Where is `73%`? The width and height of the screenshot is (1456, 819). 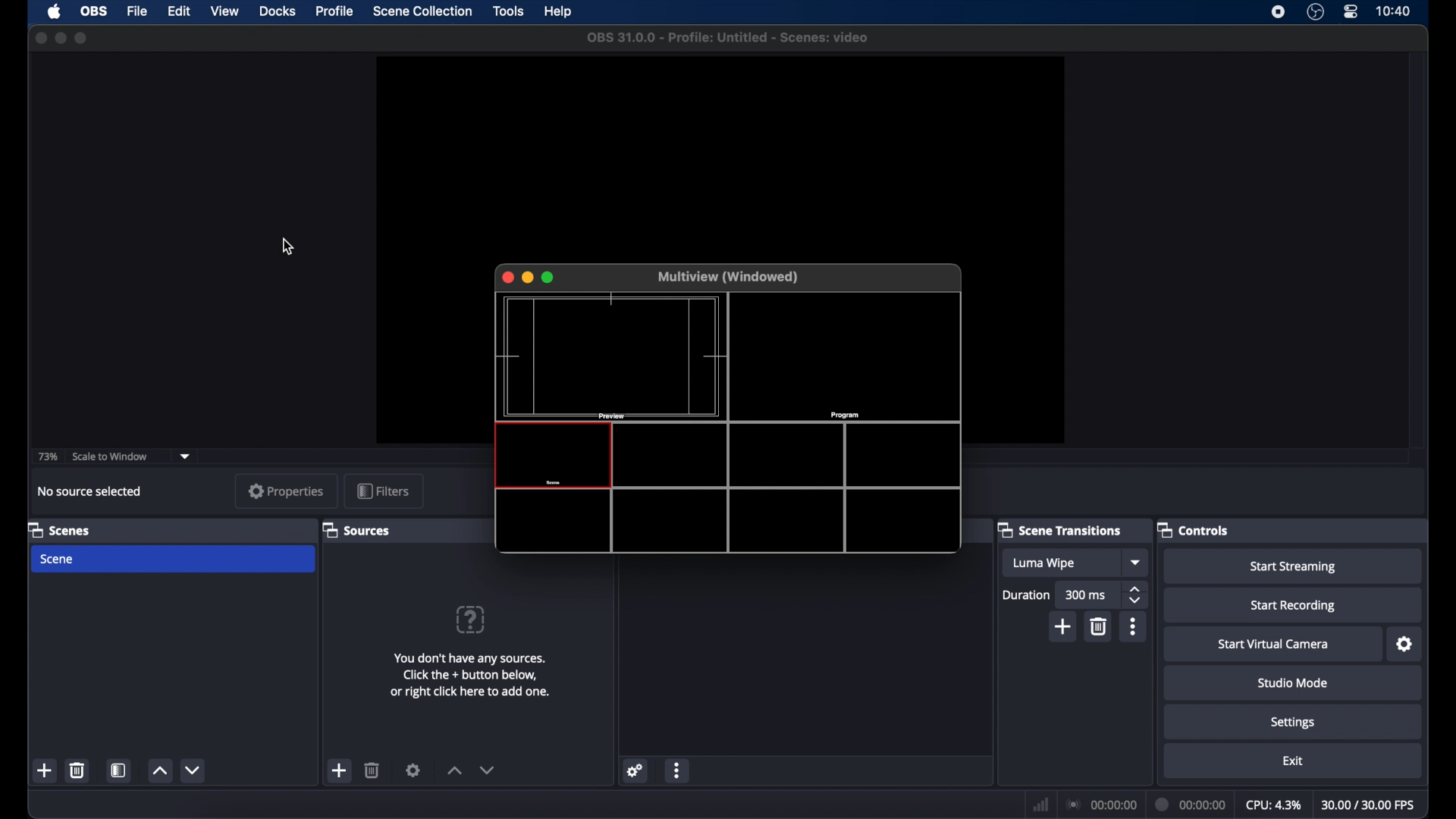 73% is located at coordinates (47, 457).